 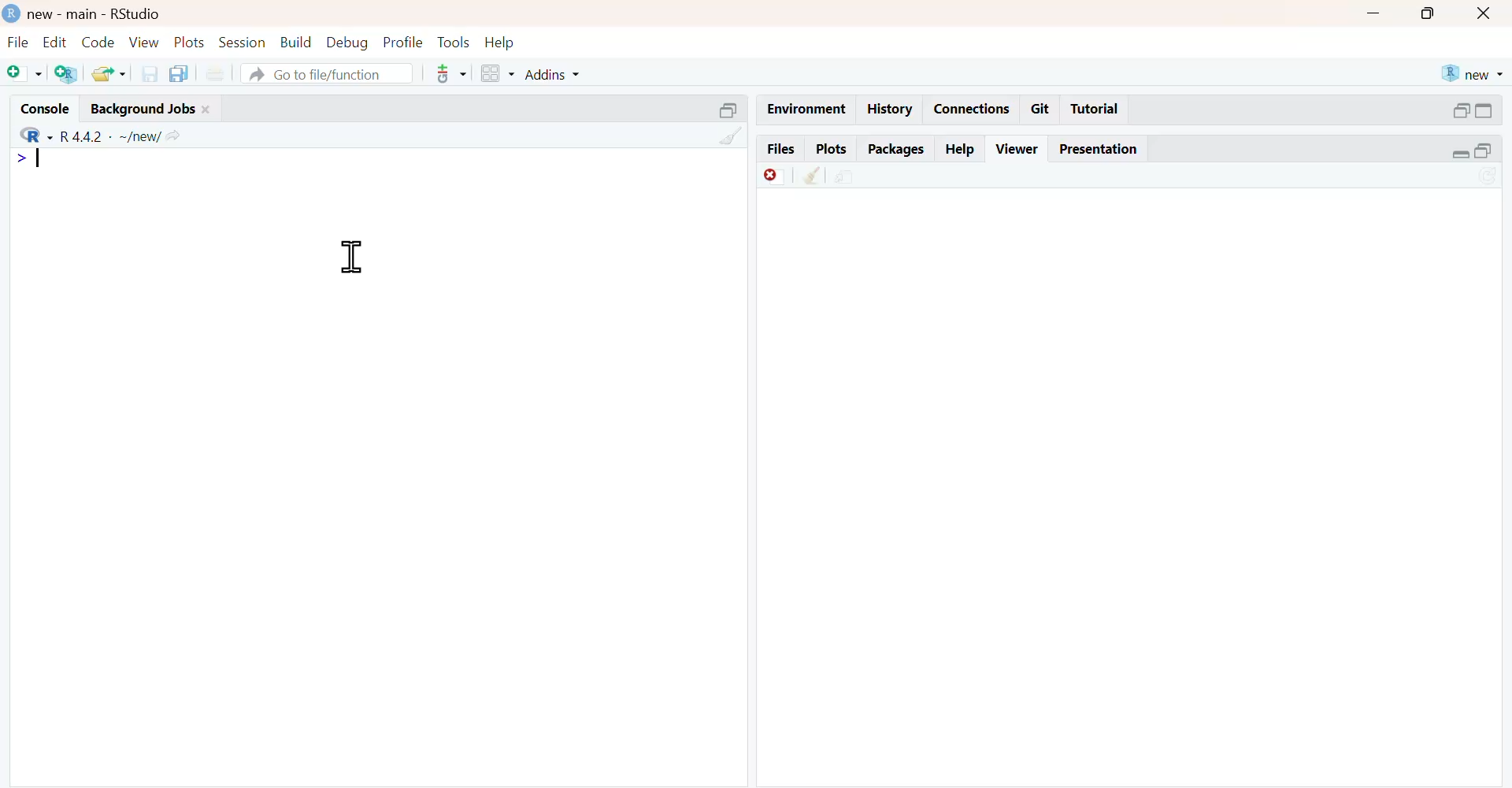 What do you see at coordinates (297, 42) in the screenshot?
I see `build` at bounding box center [297, 42].